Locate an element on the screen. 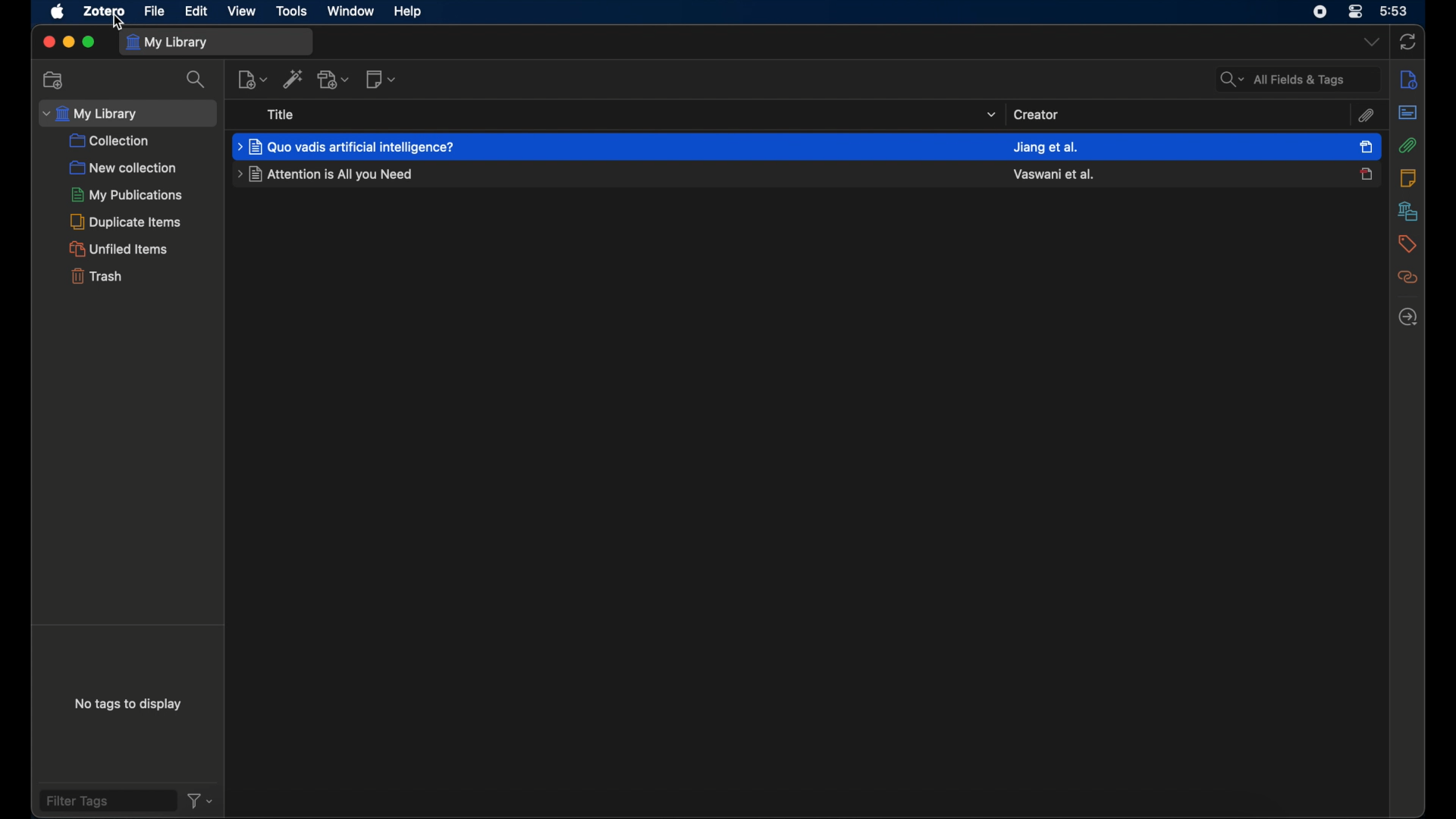  file is located at coordinates (154, 11).